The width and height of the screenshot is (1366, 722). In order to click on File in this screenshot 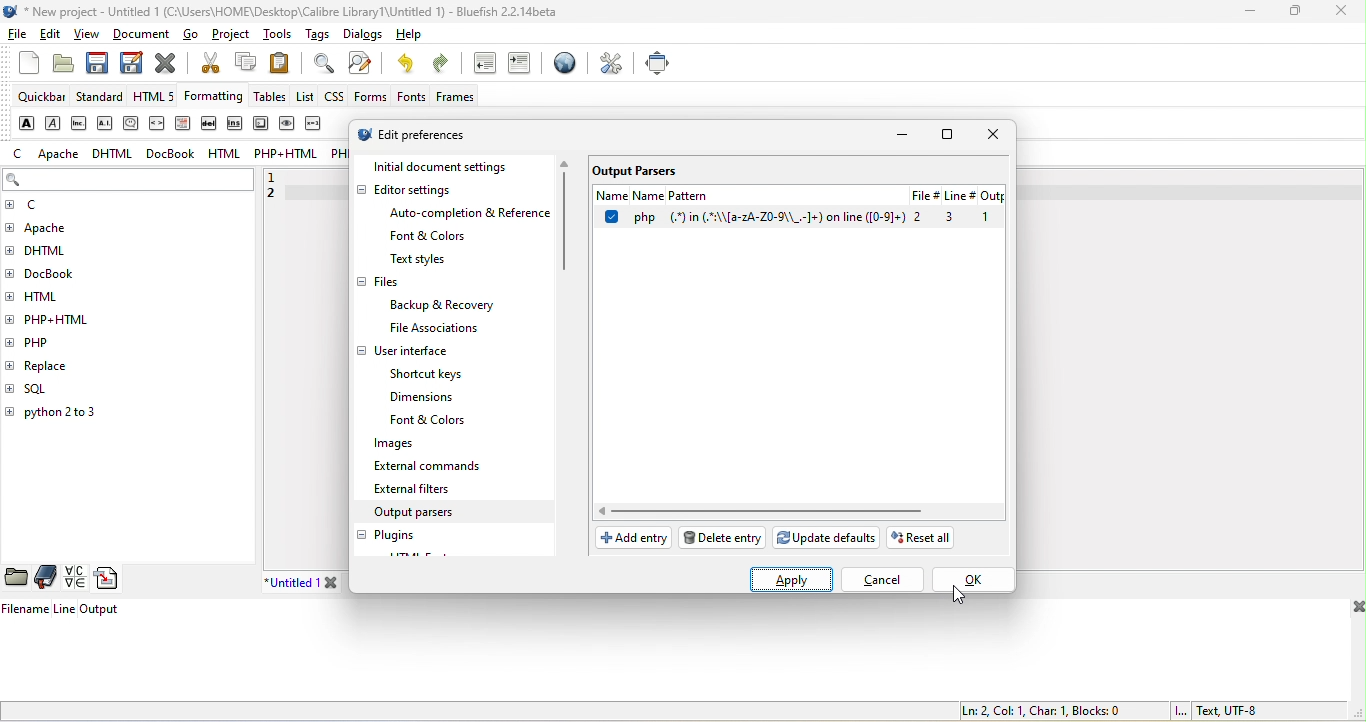, I will do `click(921, 194)`.